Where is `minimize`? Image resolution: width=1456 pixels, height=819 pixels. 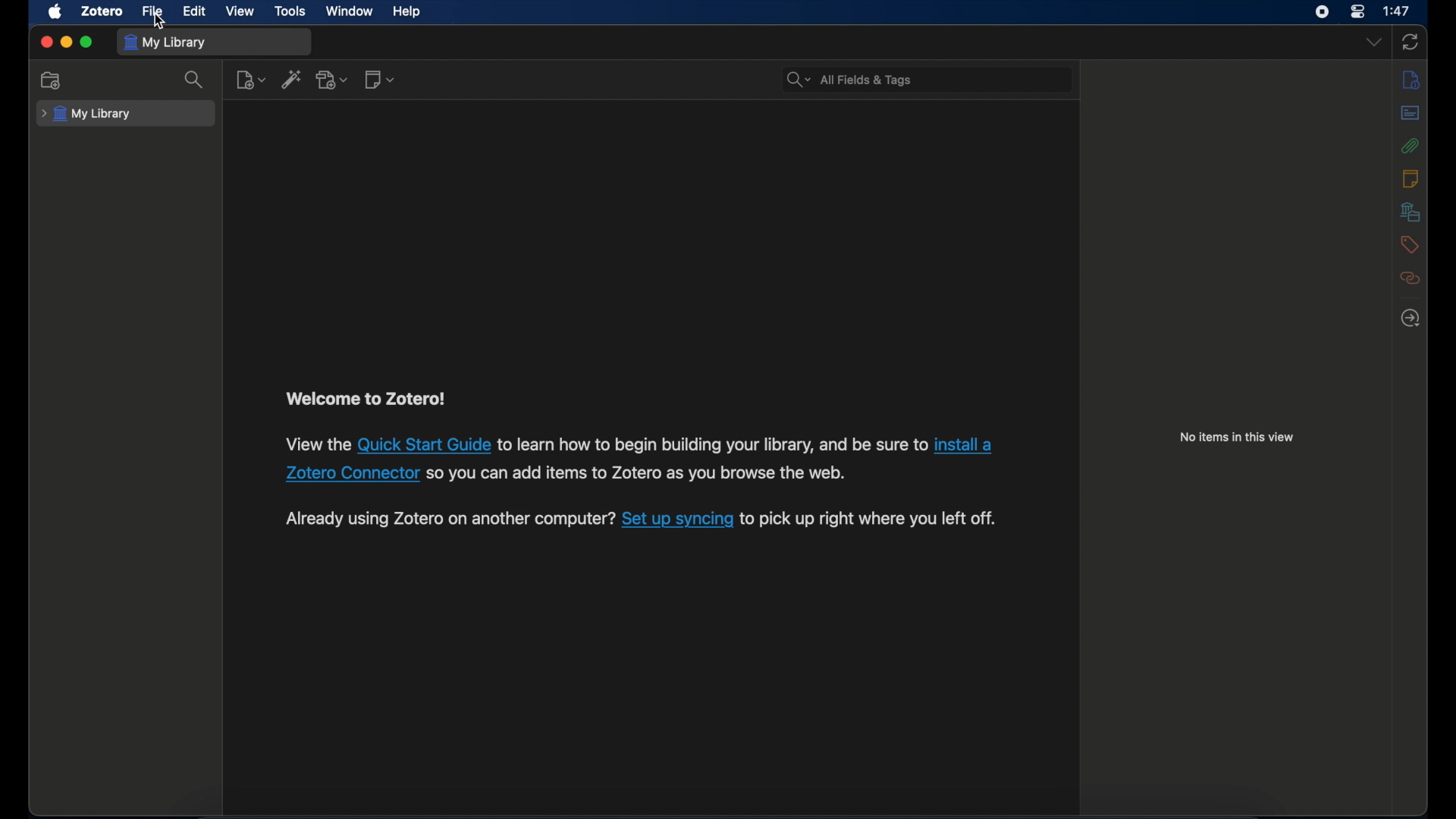 minimize is located at coordinates (67, 42).